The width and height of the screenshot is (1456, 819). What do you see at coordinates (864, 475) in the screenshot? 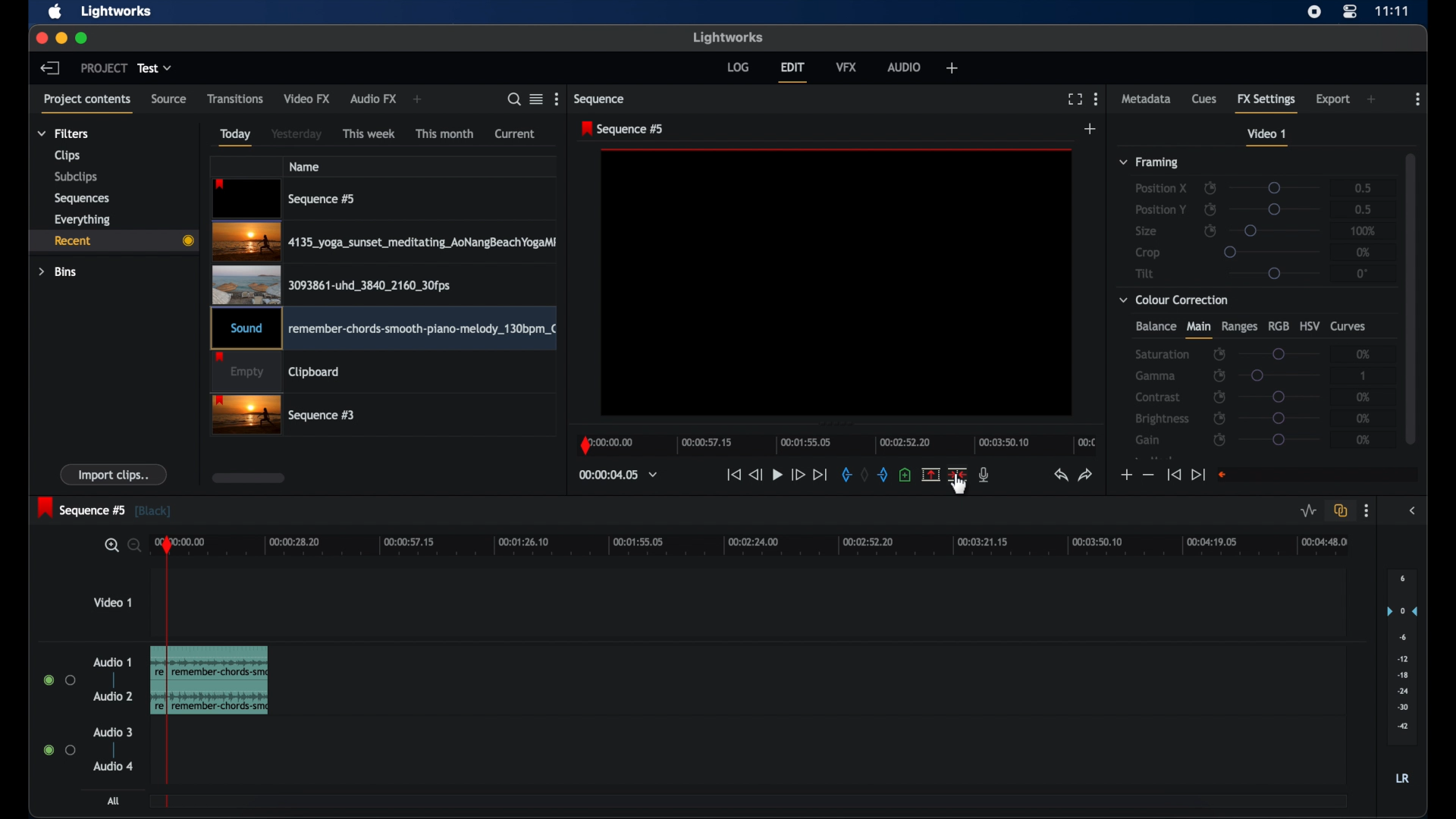
I see `clear marks` at bounding box center [864, 475].